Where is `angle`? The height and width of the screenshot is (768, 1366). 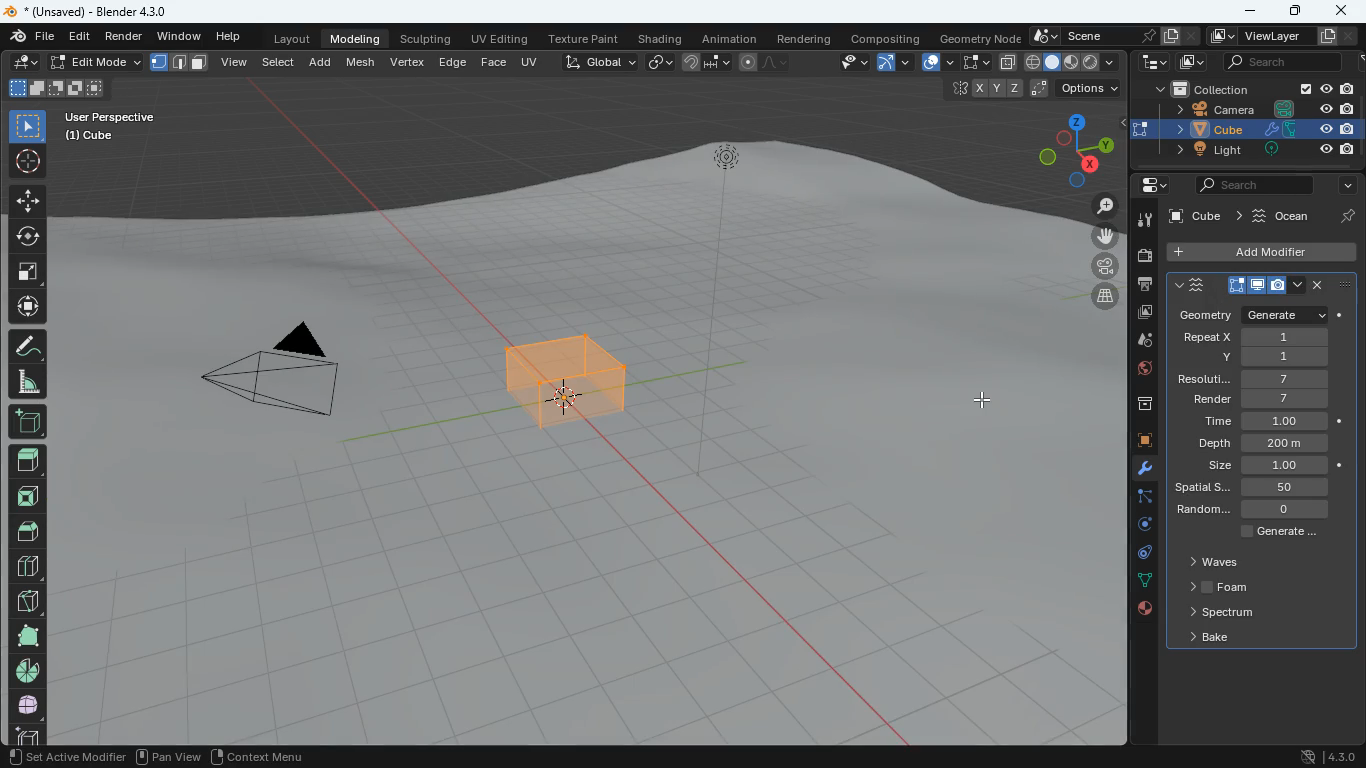 angle is located at coordinates (25, 381).